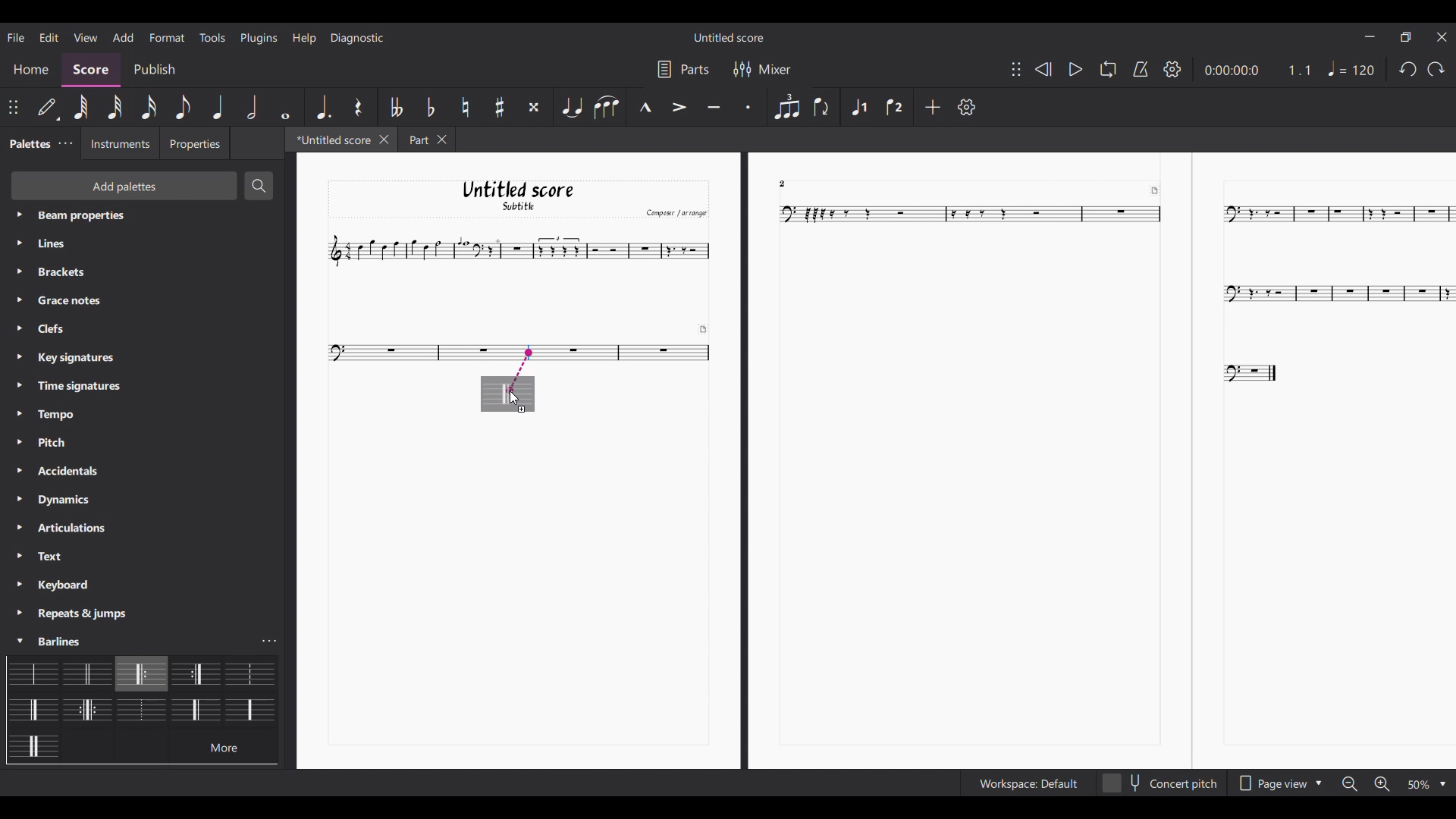 The height and width of the screenshot is (819, 1456). Describe the element at coordinates (252, 107) in the screenshot. I see `Half note` at that location.